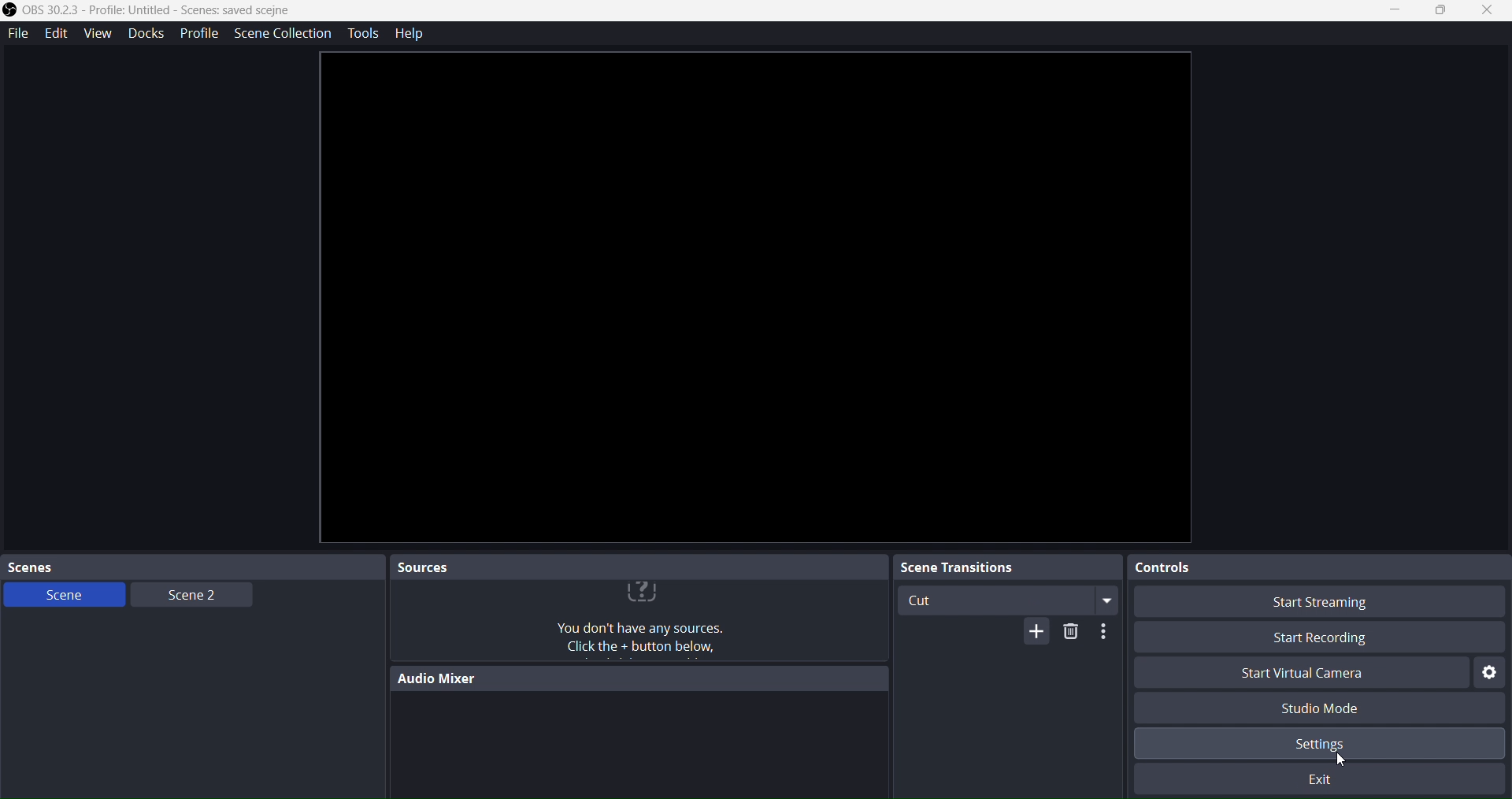  I want to click on OBS Studio, so click(160, 13).